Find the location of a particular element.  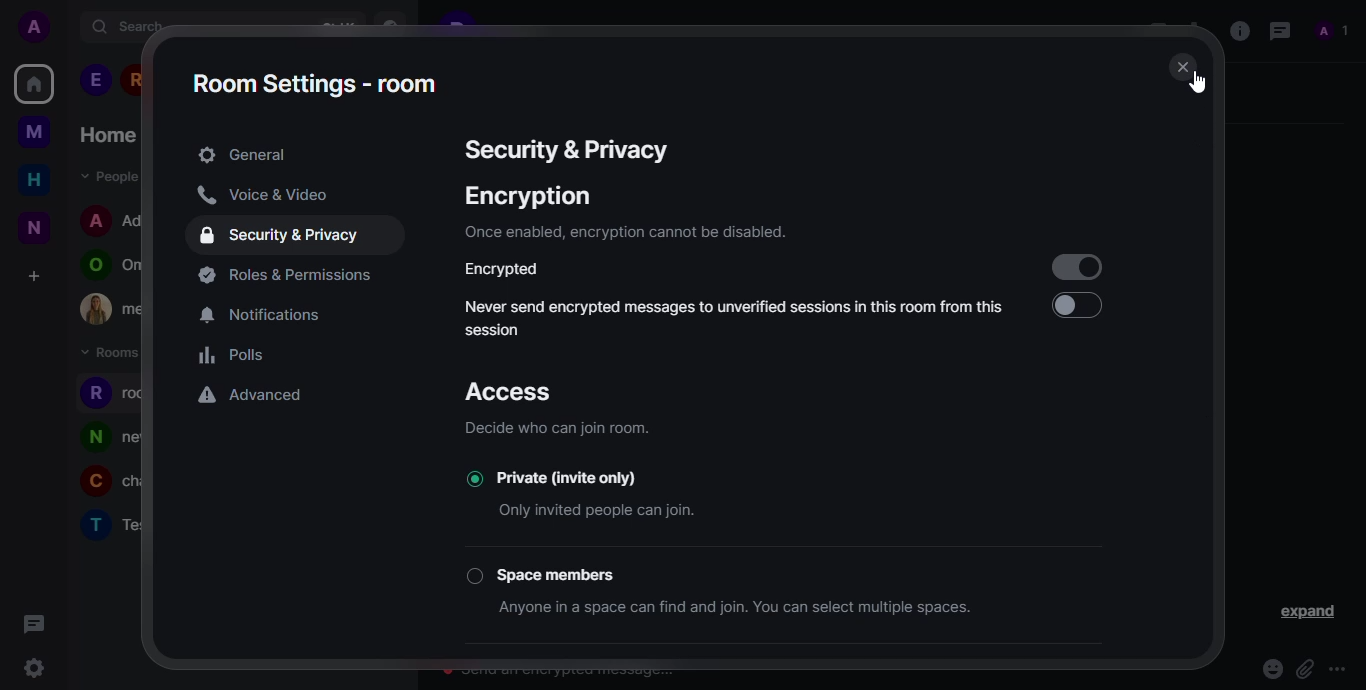

create space is located at coordinates (32, 276).